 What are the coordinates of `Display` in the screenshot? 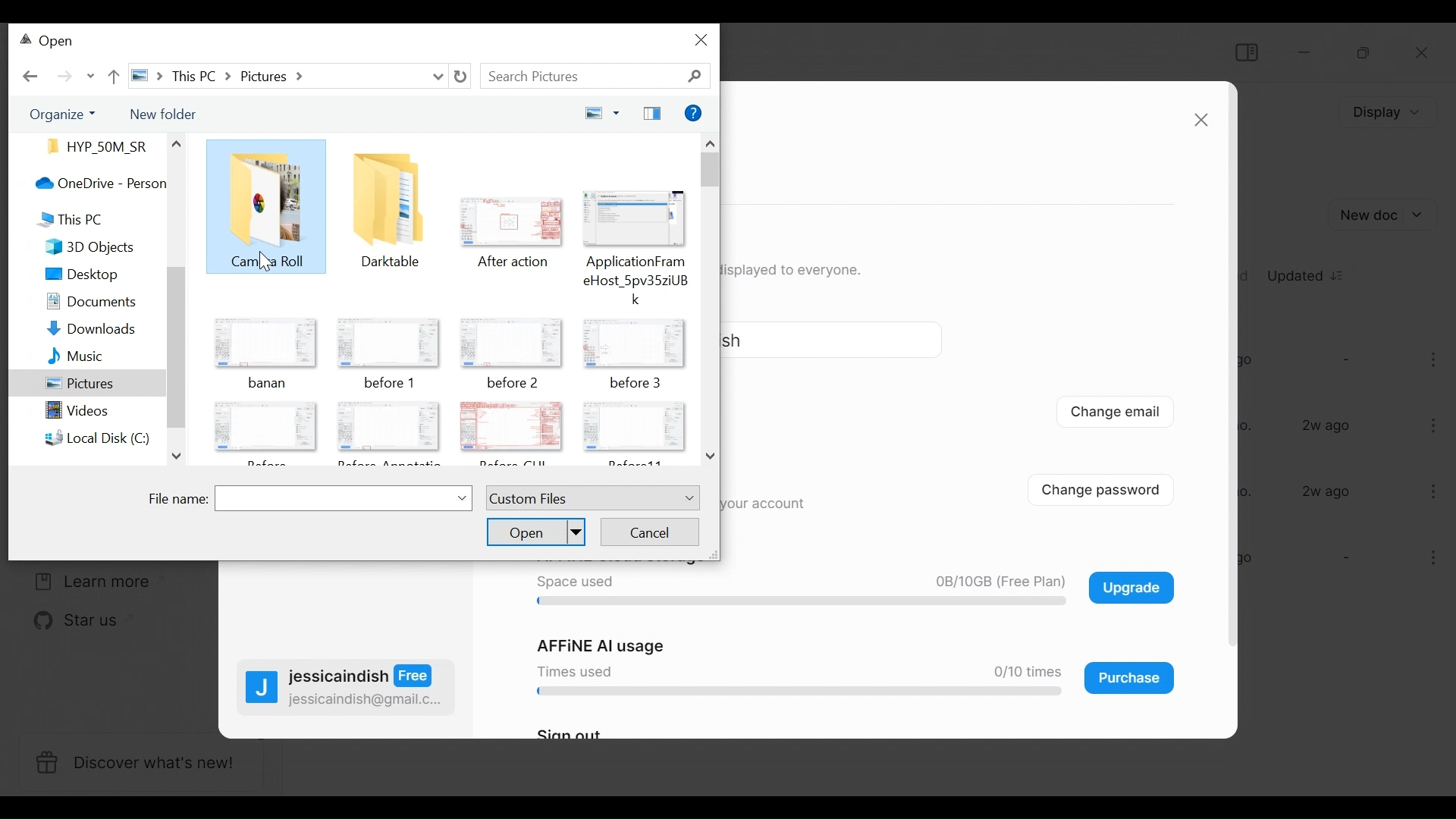 It's located at (1384, 112).